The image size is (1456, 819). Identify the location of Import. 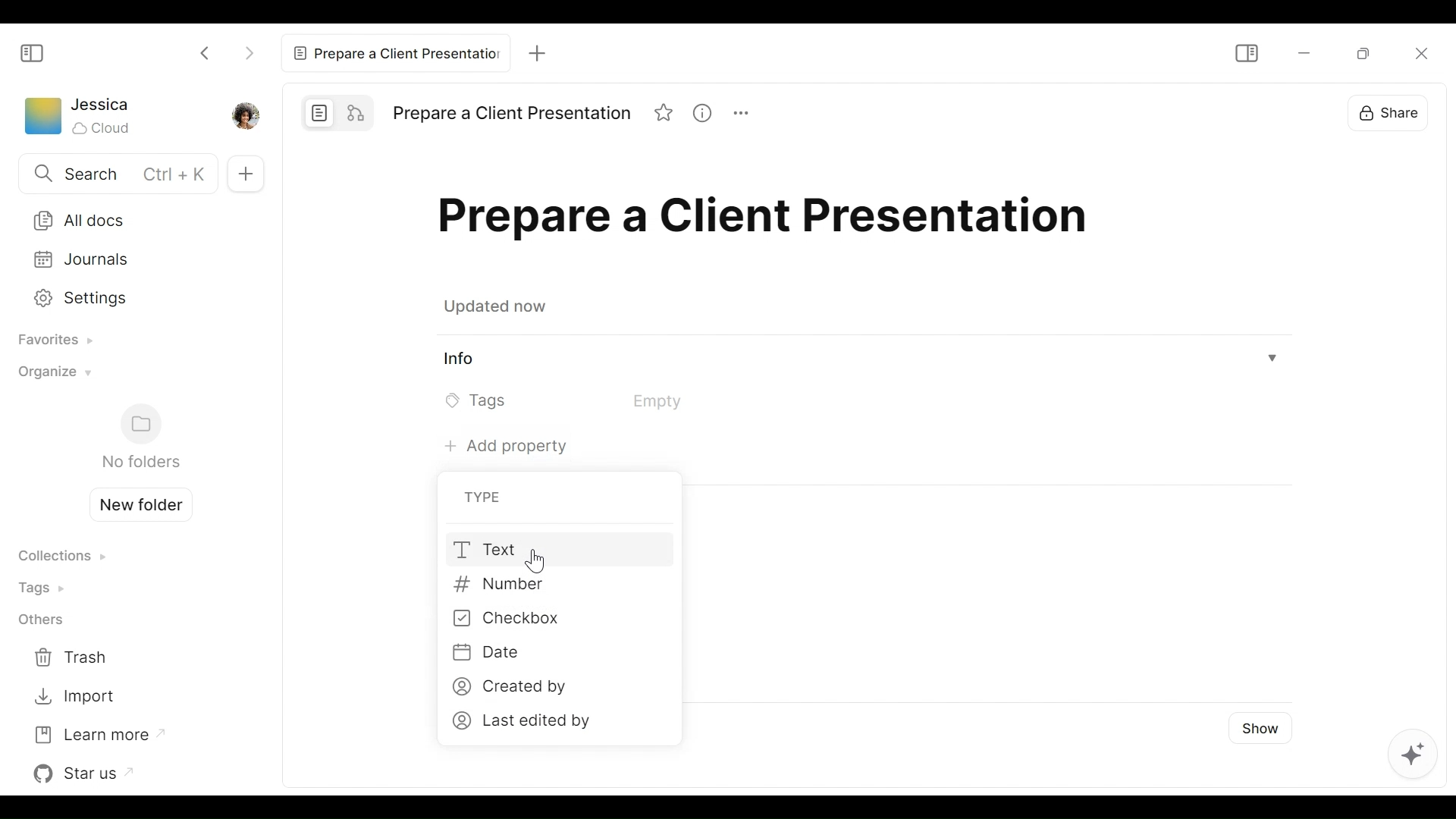
(74, 697).